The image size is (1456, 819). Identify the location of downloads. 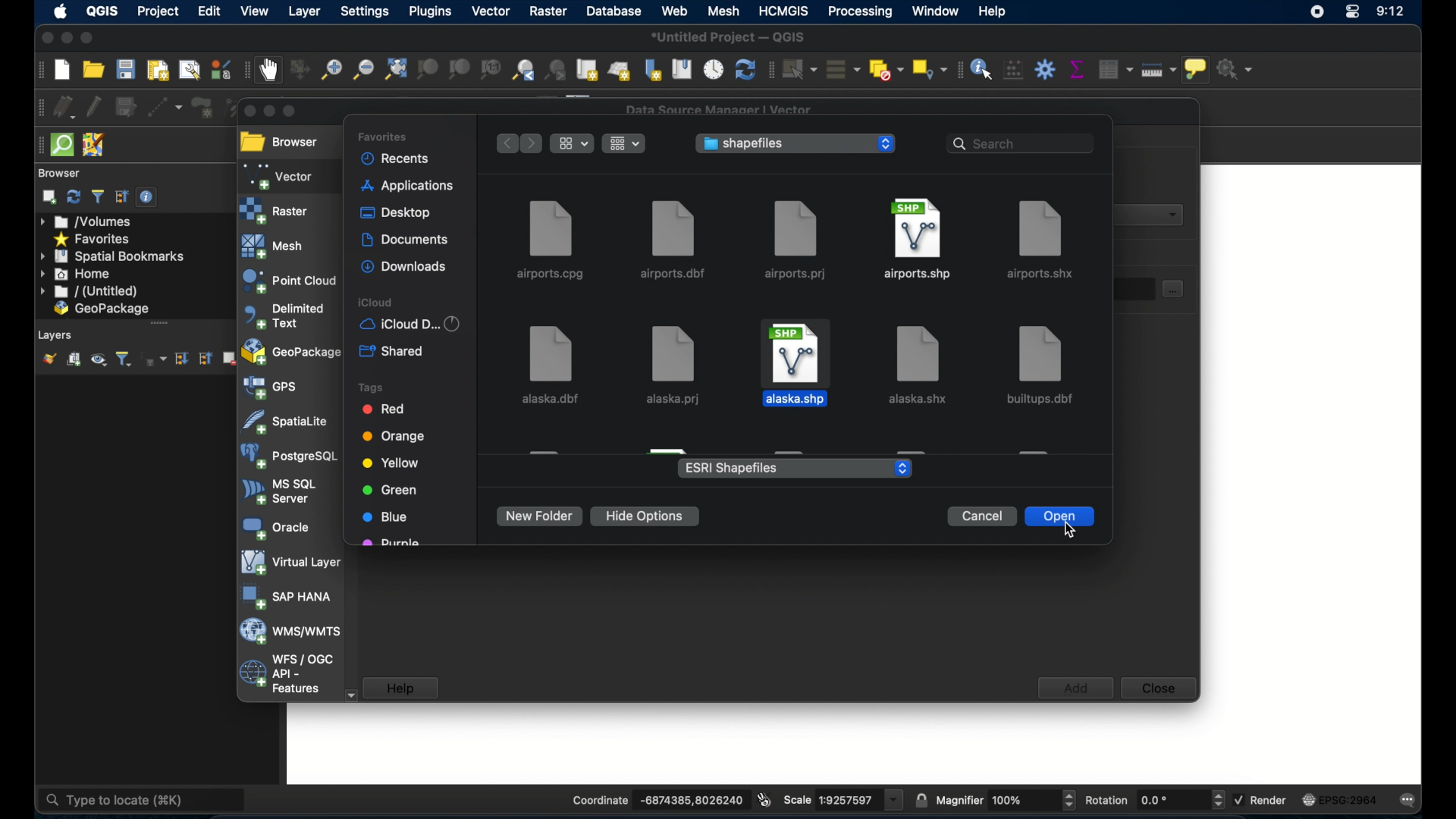
(404, 267).